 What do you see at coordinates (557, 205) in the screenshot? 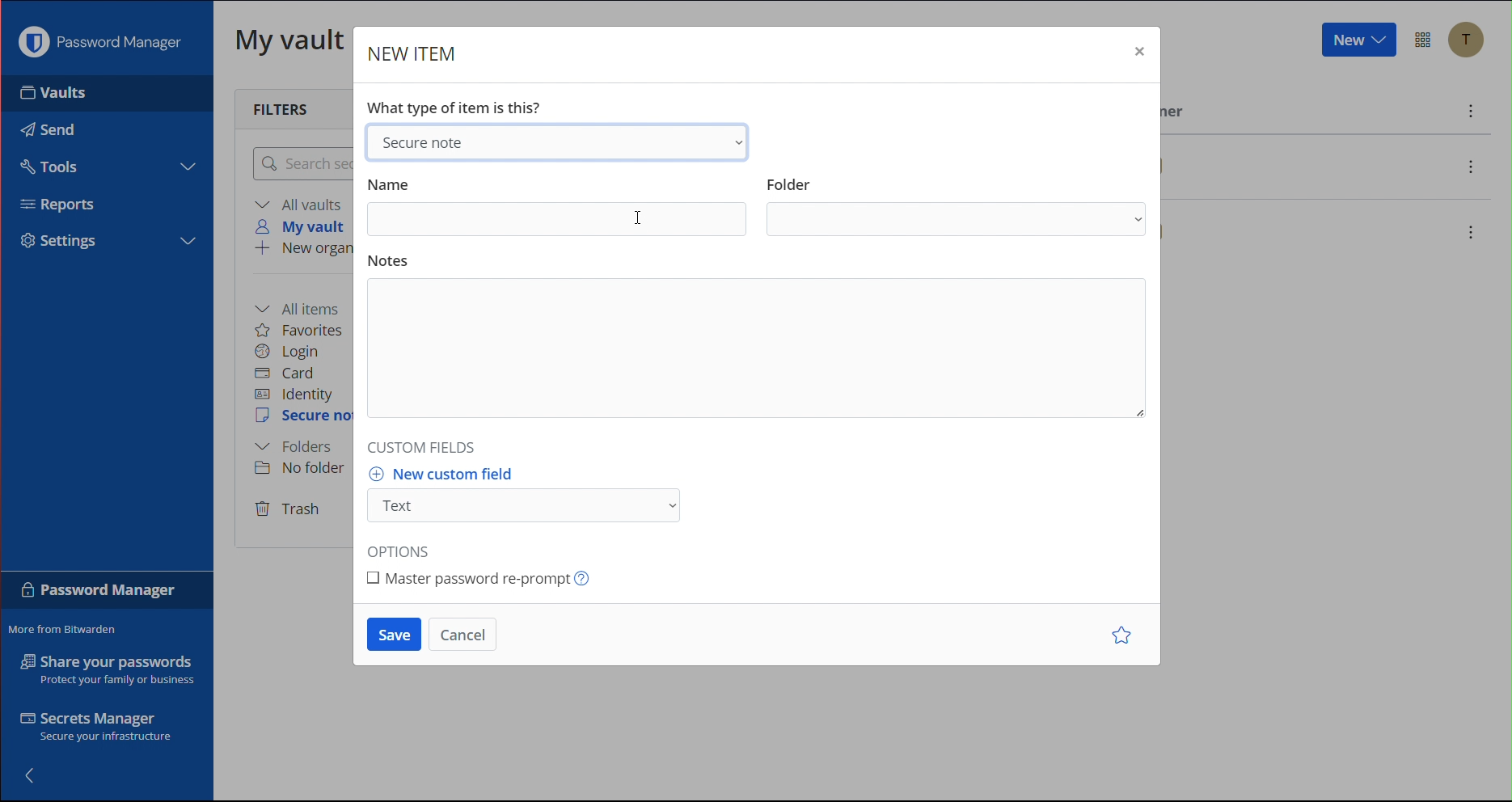
I see `Name` at bounding box center [557, 205].